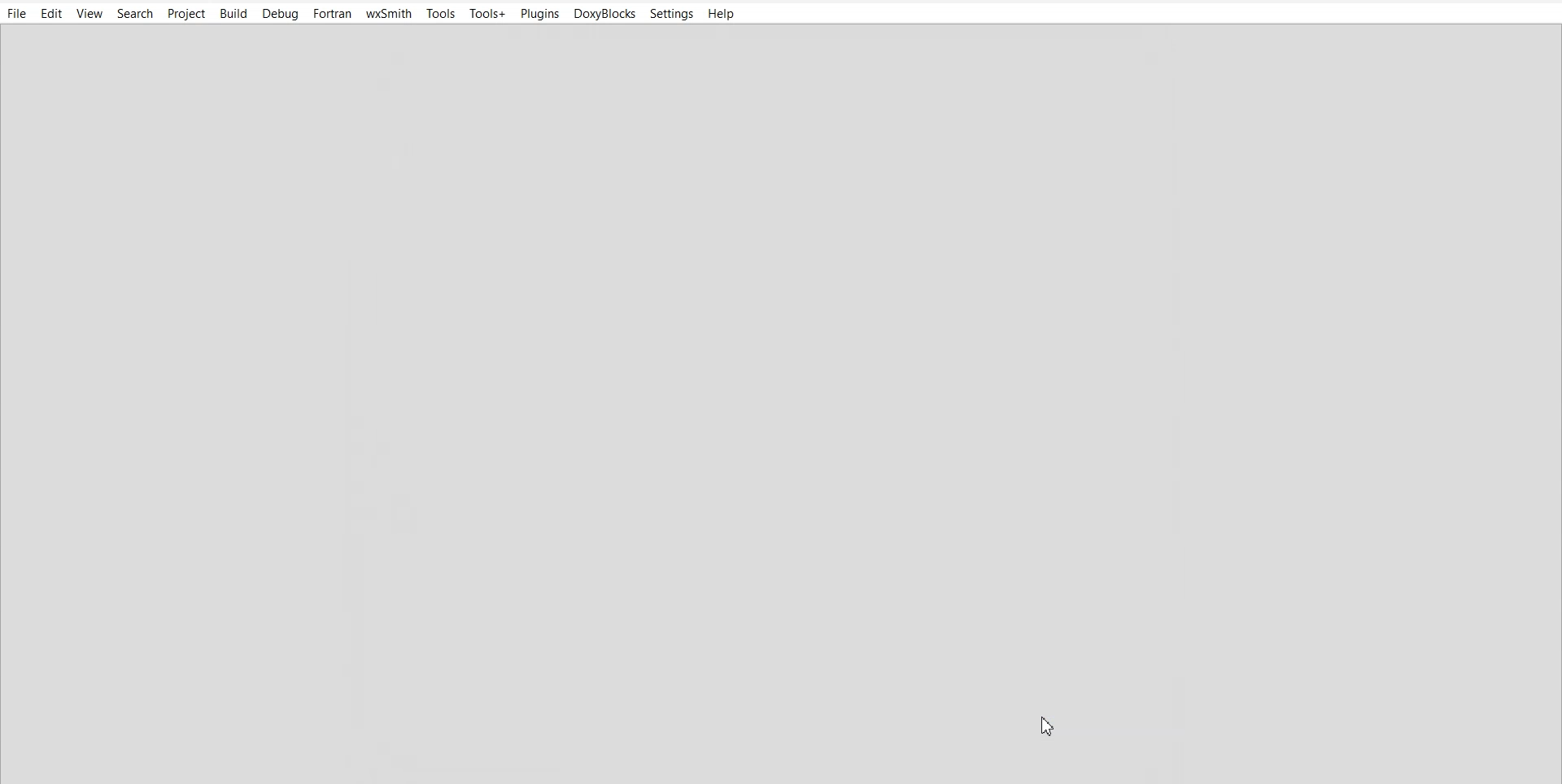 The height and width of the screenshot is (784, 1562). I want to click on Help, so click(722, 14).